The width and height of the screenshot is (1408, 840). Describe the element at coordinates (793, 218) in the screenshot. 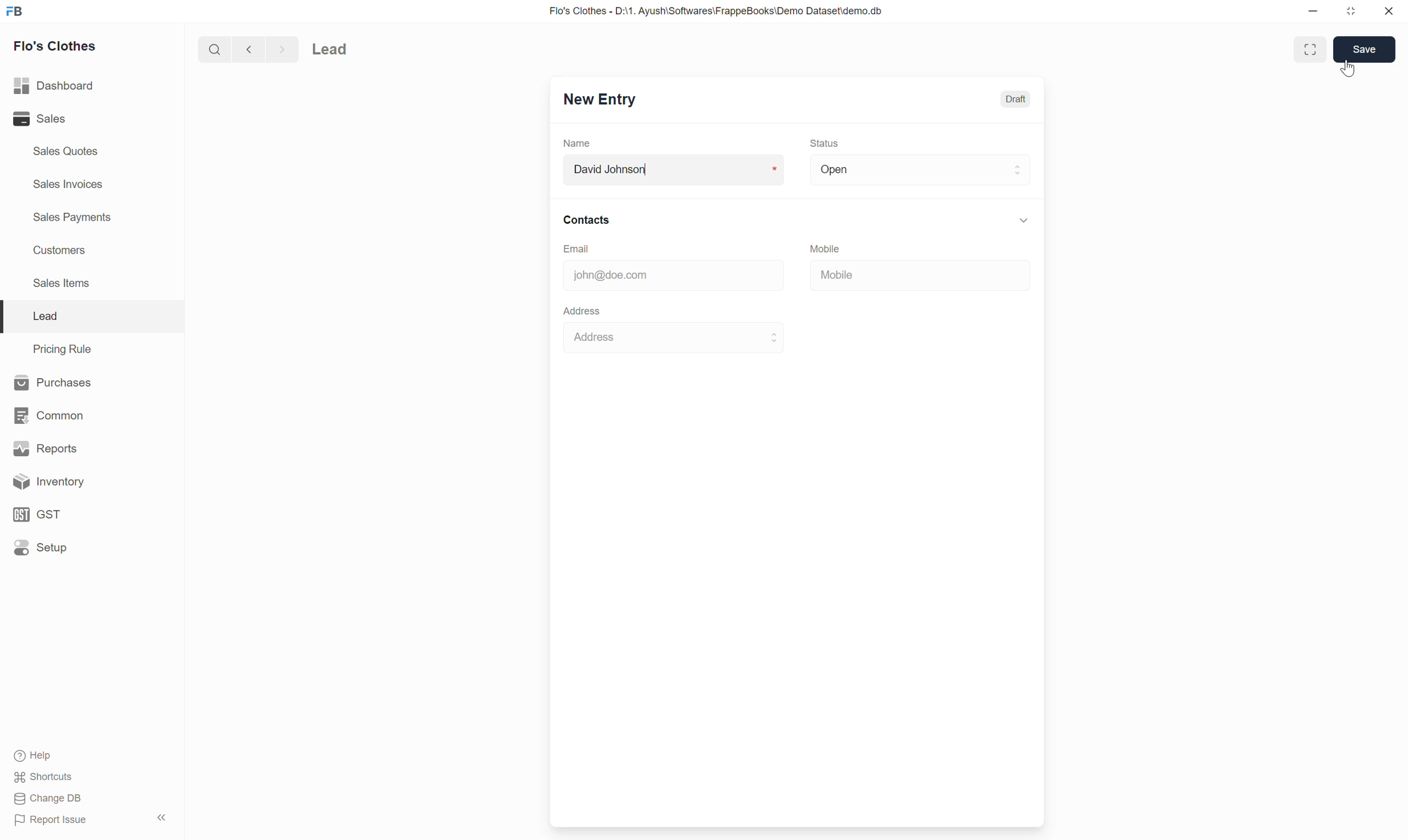

I see `Contacts` at that location.